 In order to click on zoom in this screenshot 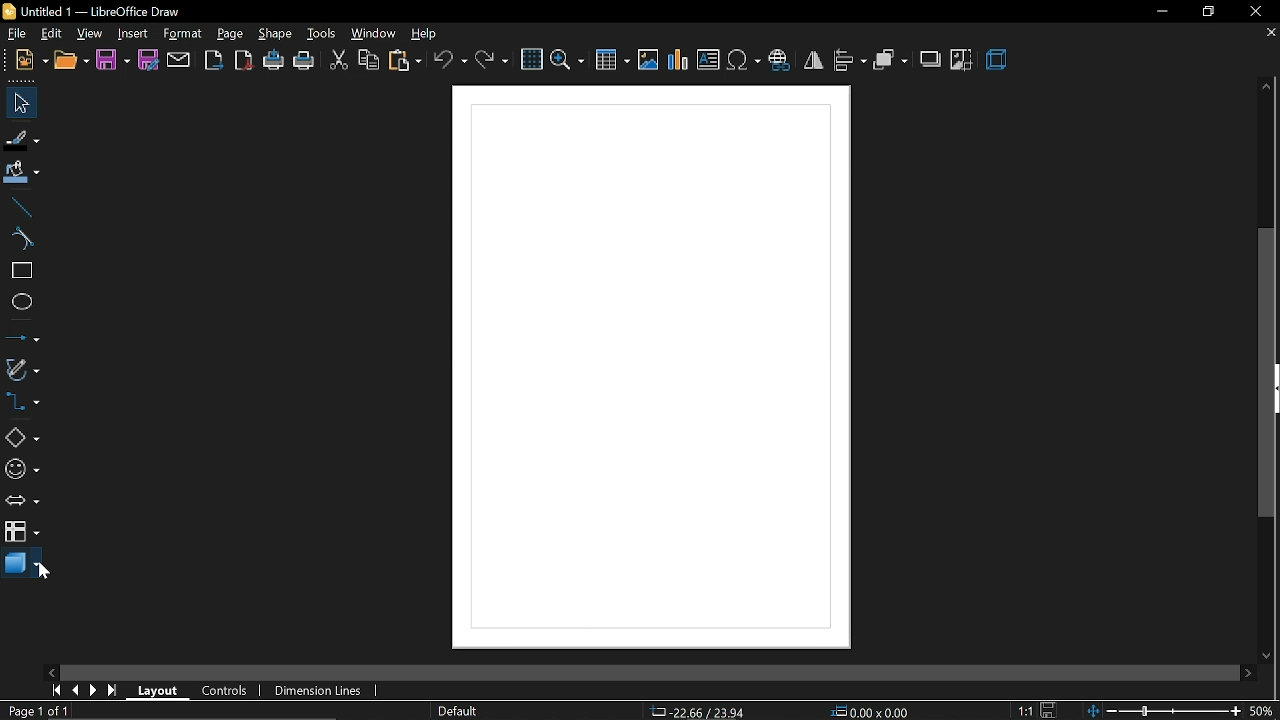, I will do `click(567, 59)`.